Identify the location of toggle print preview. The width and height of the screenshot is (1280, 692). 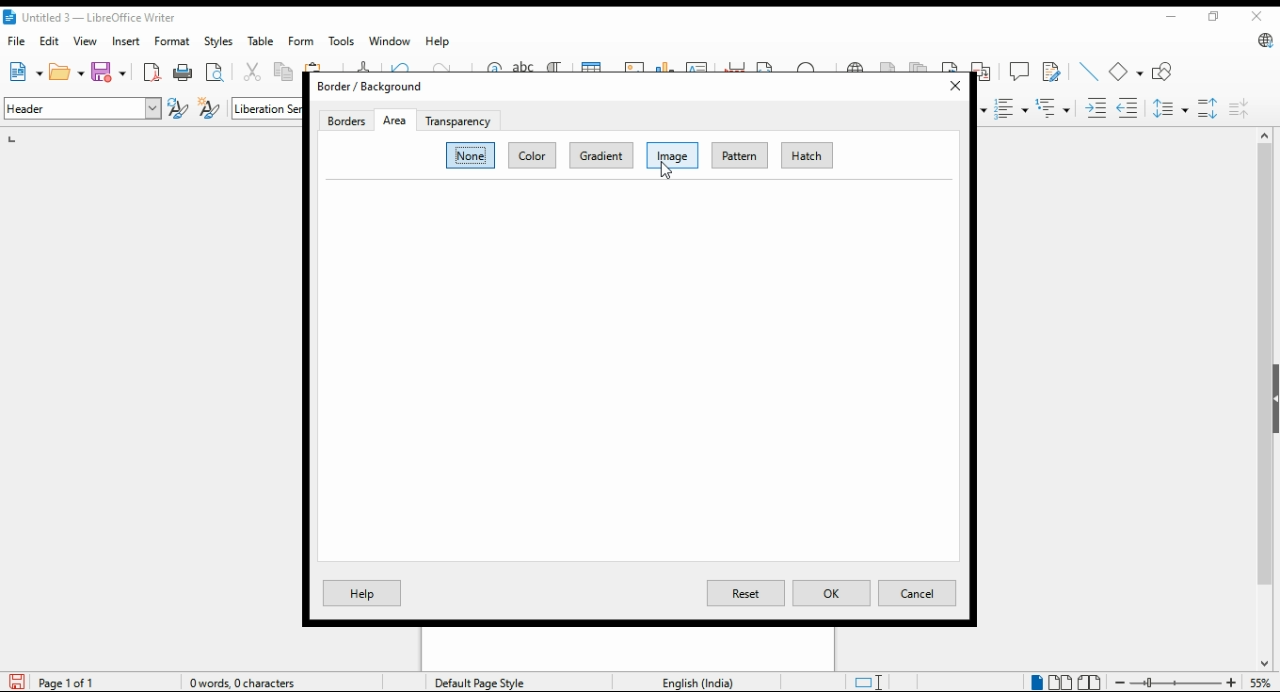
(216, 70).